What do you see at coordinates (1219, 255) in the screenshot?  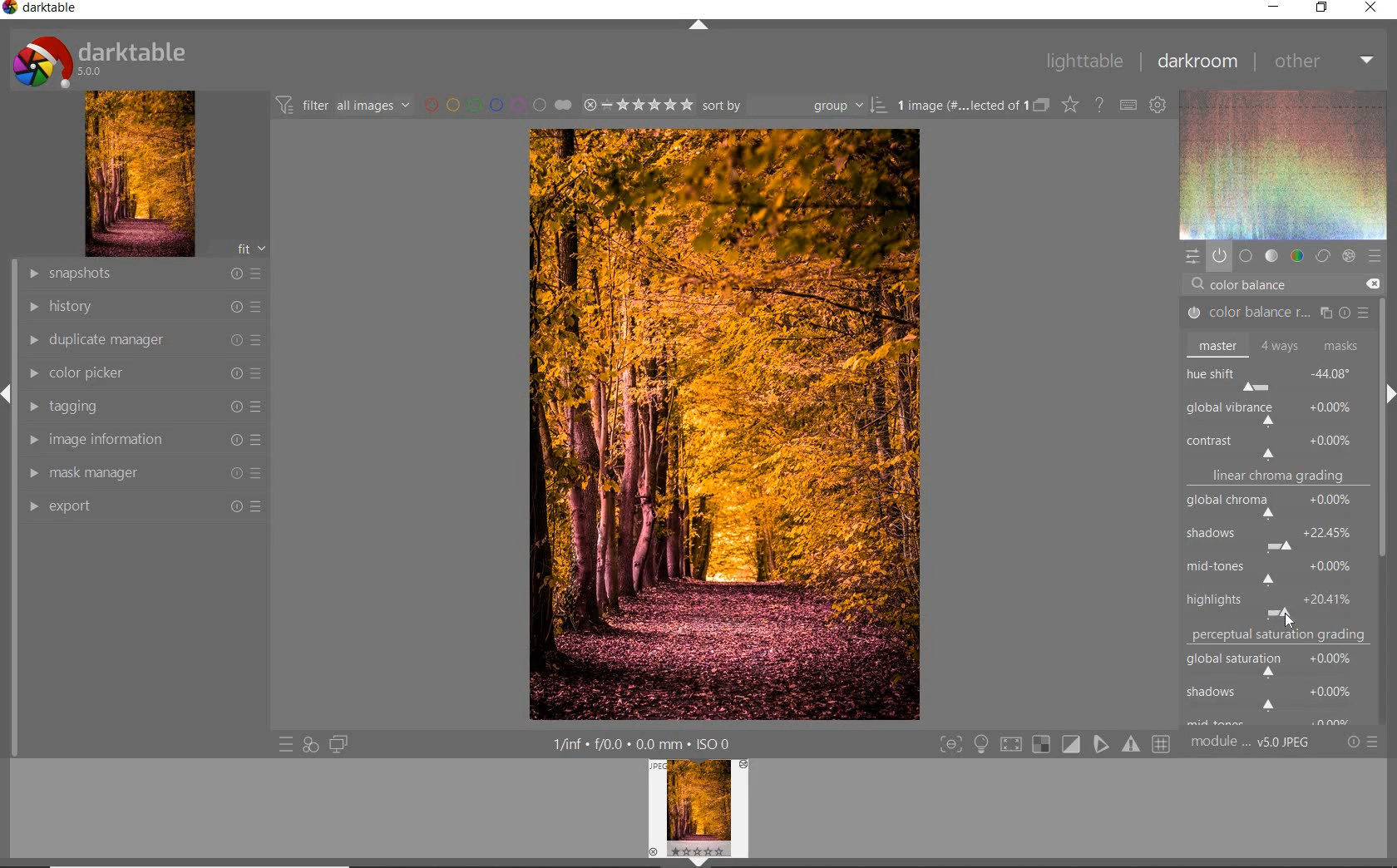 I see `show only active module` at bounding box center [1219, 255].